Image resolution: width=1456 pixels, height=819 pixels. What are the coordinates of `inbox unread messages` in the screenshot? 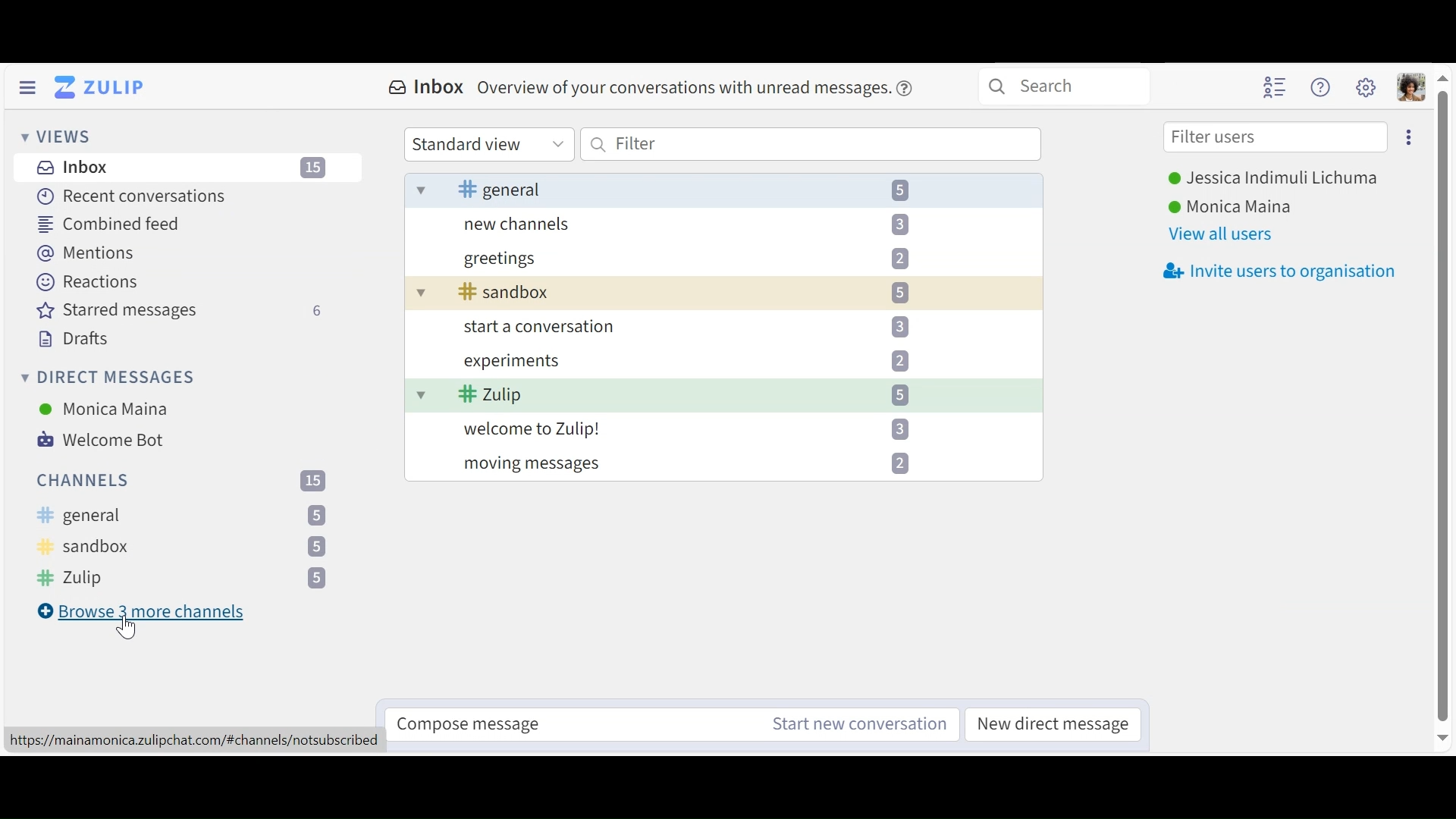 It's located at (730, 365).